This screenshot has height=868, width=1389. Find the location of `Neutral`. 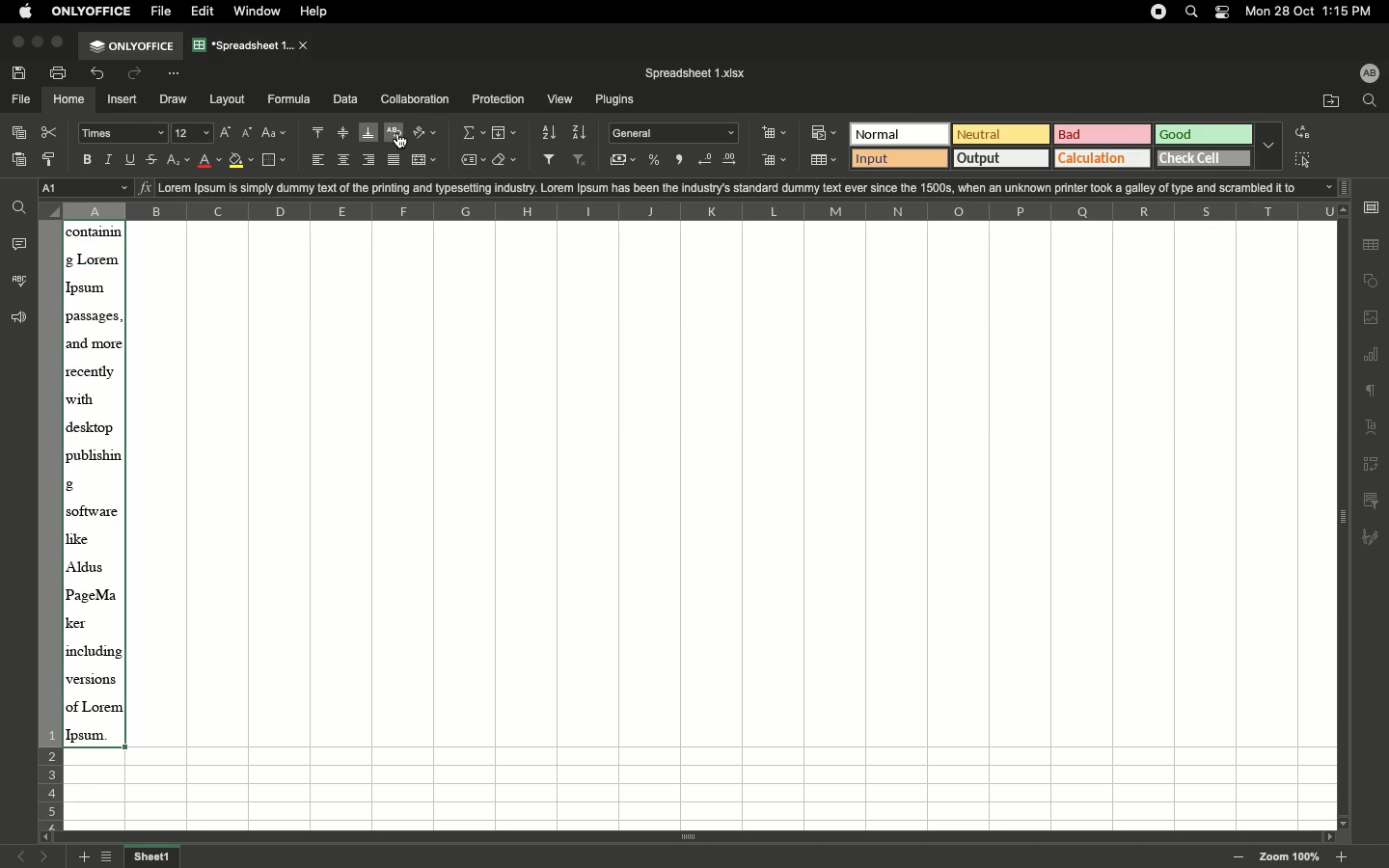

Neutral is located at coordinates (1001, 134).